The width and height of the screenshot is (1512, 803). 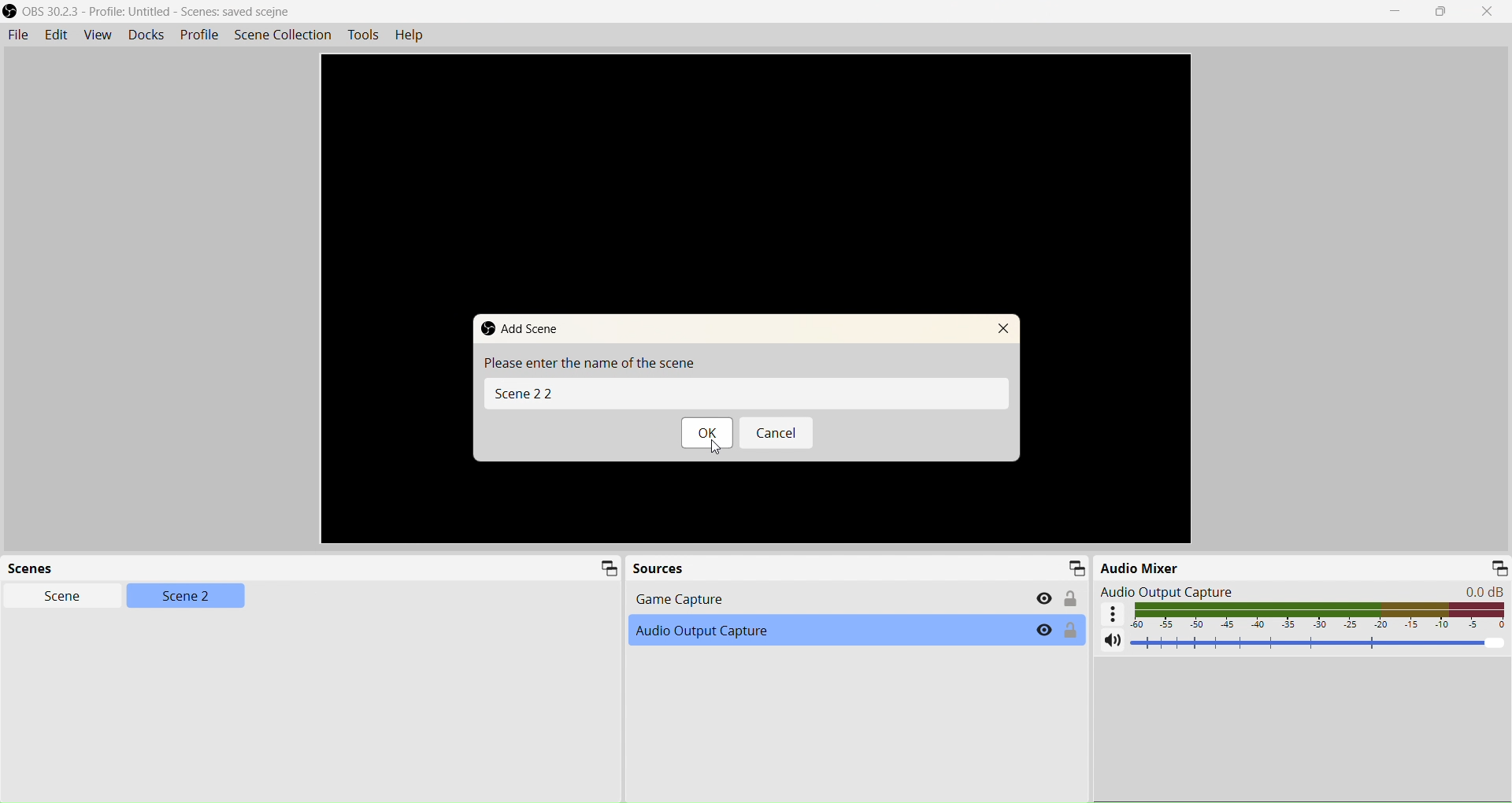 I want to click on Scene 2, so click(x=187, y=595).